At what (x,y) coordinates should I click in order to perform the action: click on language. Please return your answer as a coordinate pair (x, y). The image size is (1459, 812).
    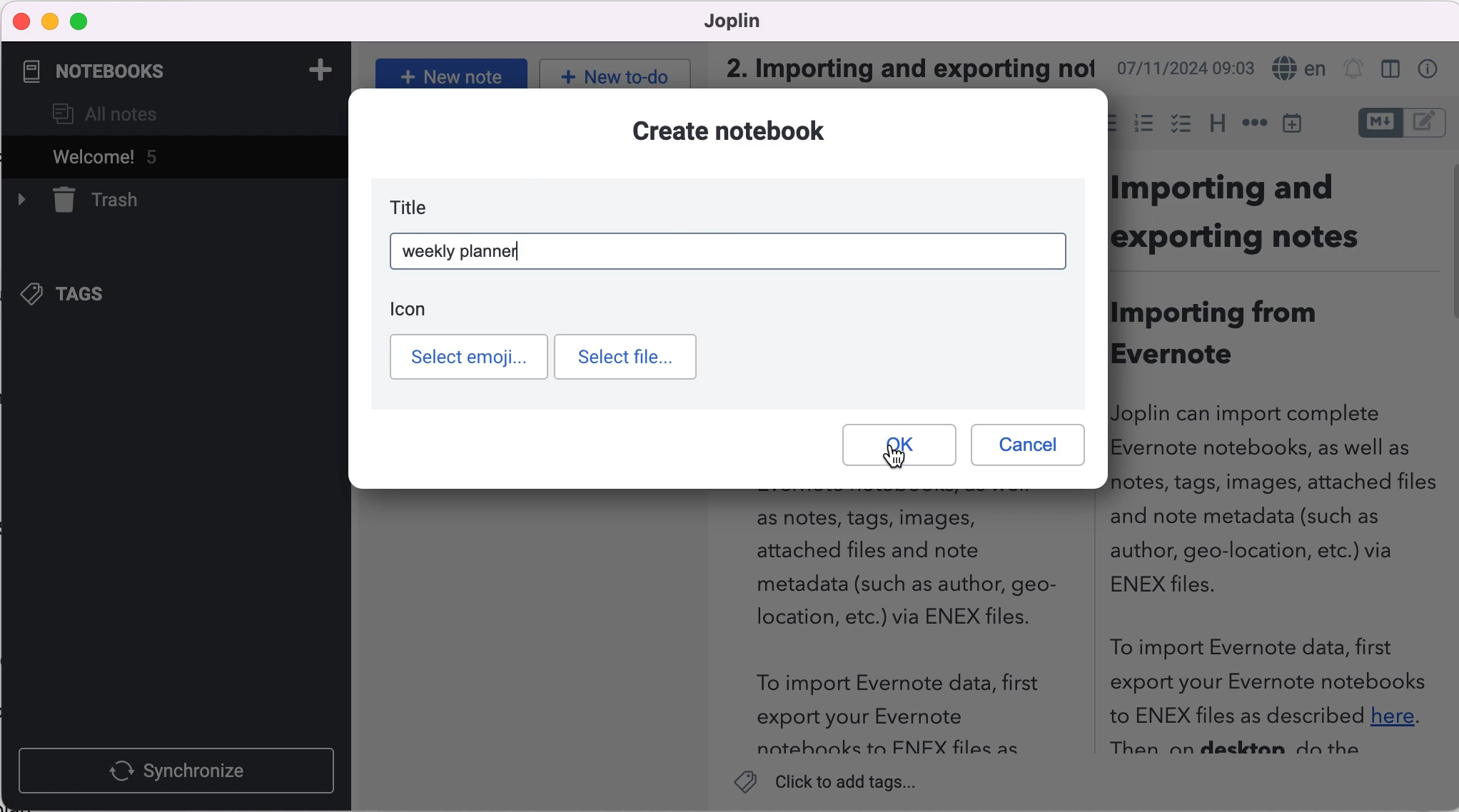
    Looking at the image, I should click on (1296, 69).